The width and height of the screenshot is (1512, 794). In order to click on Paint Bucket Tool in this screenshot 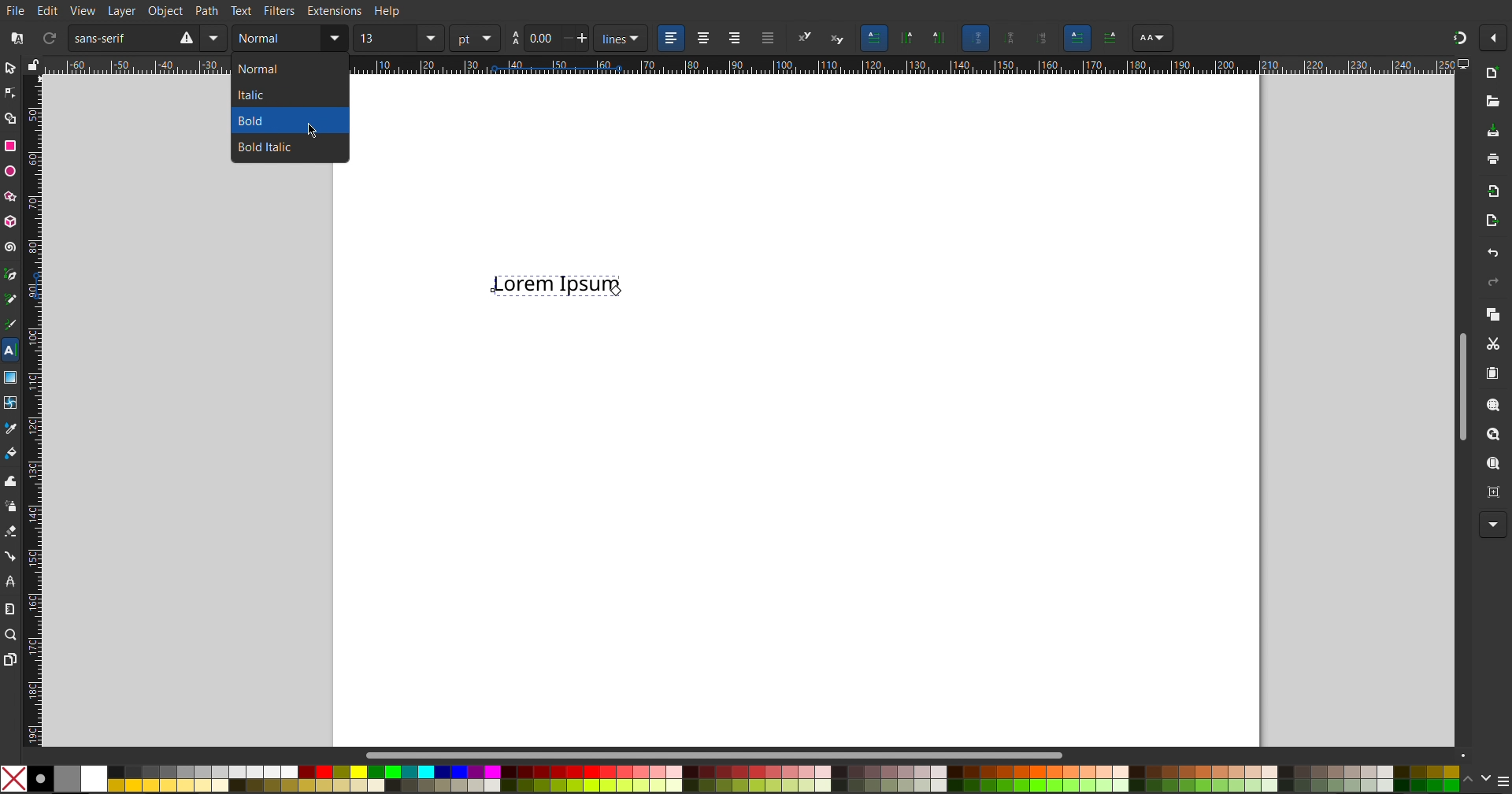, I will do `click(13, 450)`.